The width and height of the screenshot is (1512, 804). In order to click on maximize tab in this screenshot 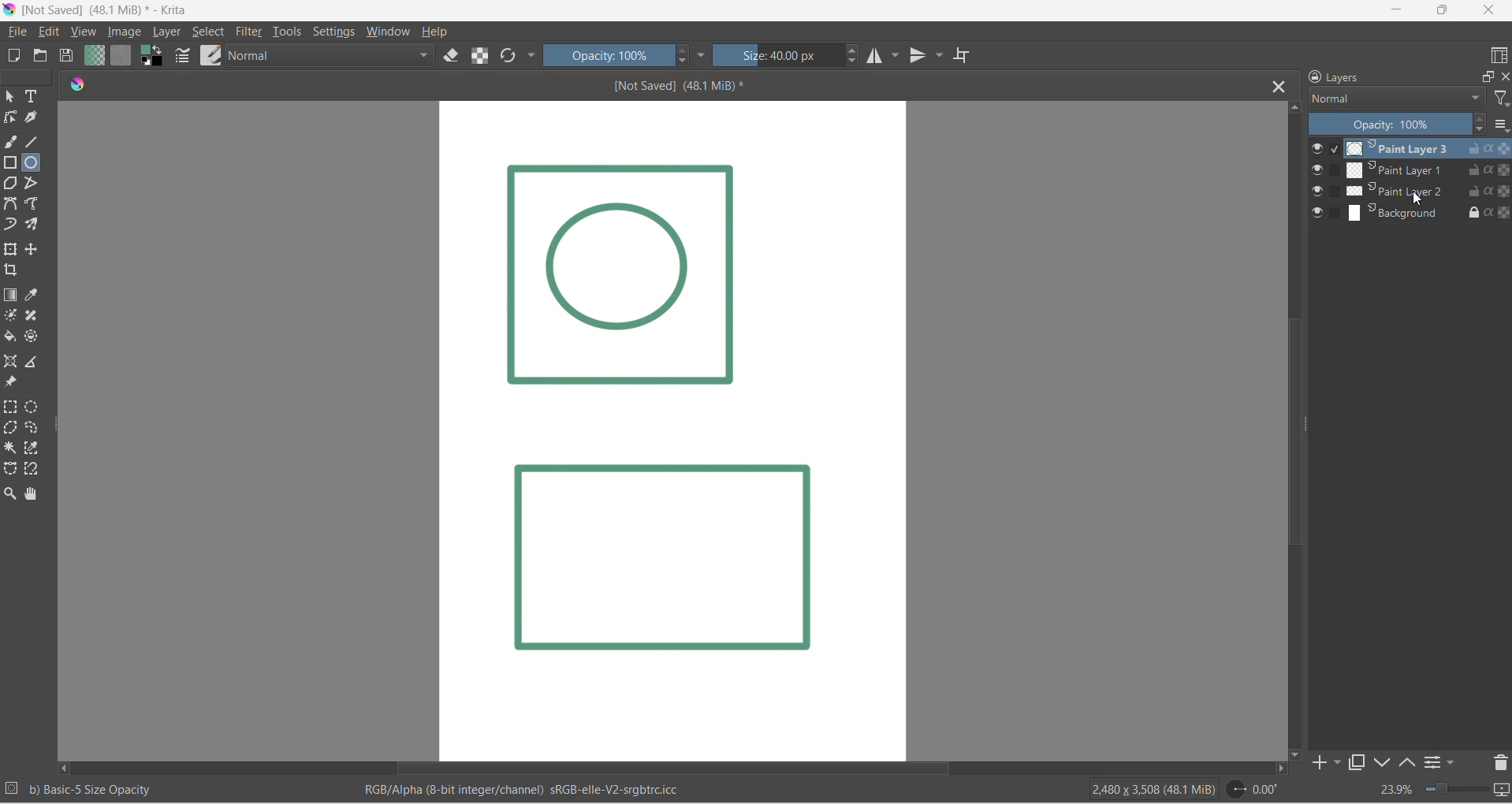, I will do `click(1357, 764)`.